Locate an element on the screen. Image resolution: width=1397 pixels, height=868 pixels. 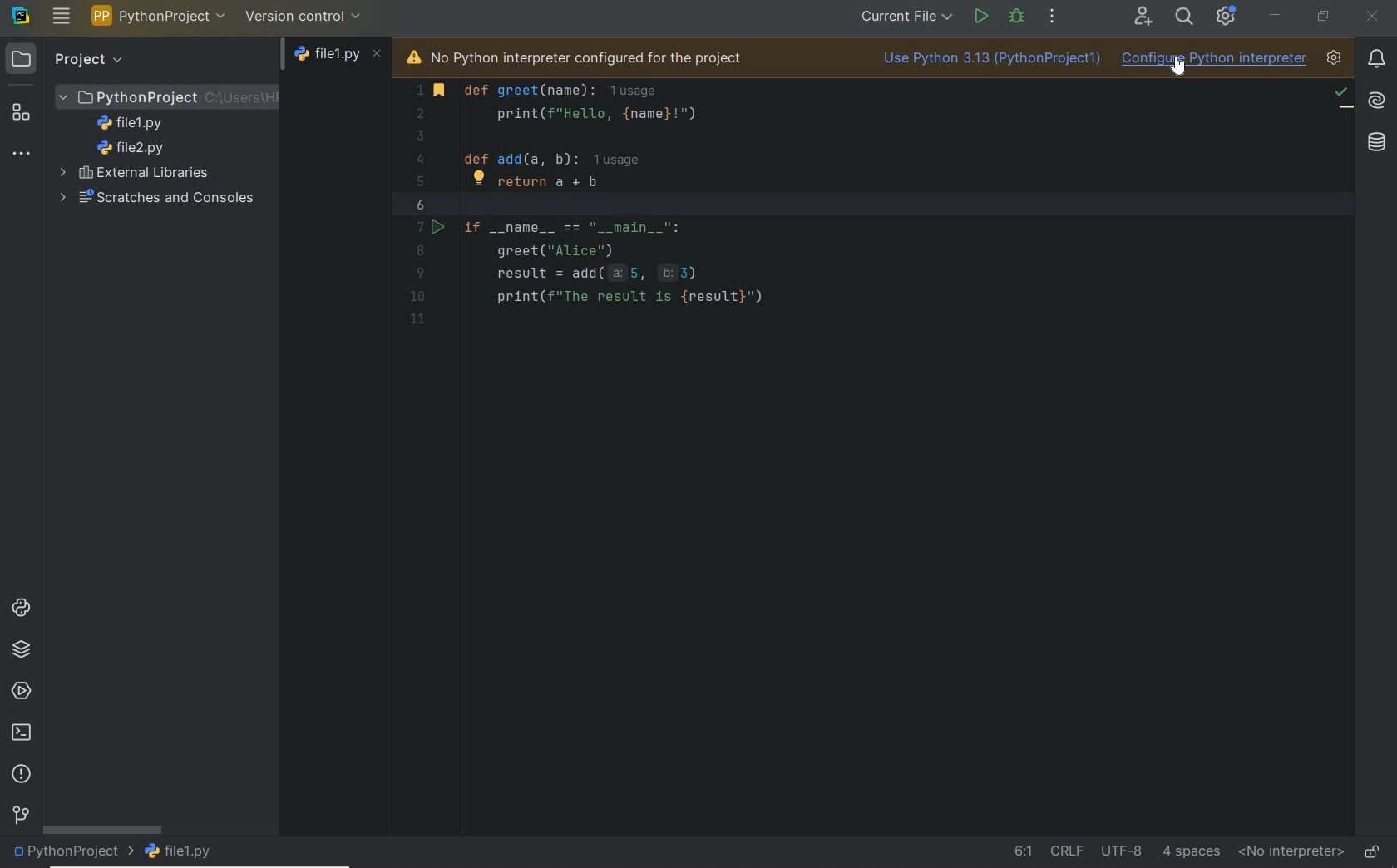
debug is located at coordinates (1018, 16).